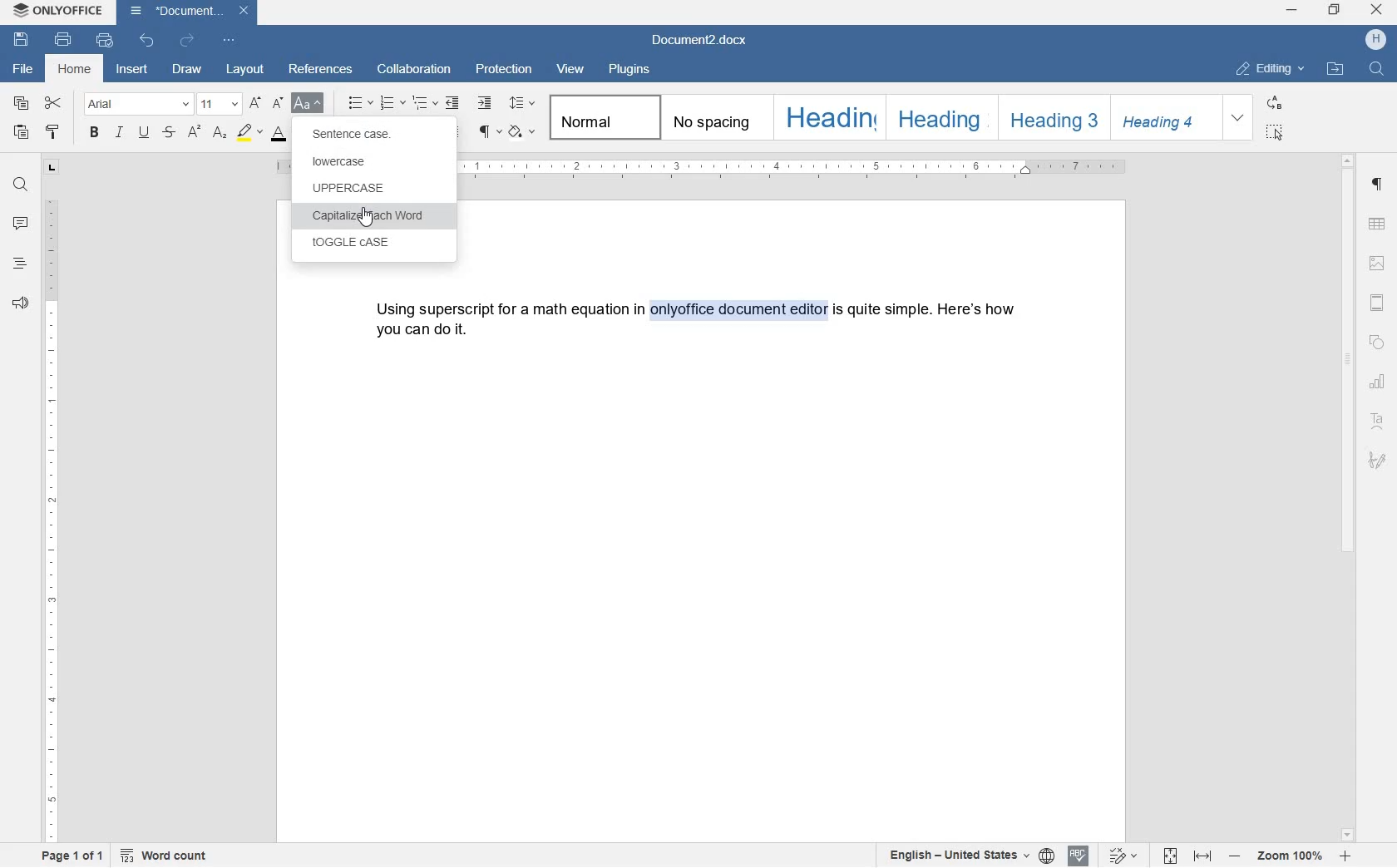  Describe the element at coordinates (1378, 461) in the screenshot. I see `signature` at that location.